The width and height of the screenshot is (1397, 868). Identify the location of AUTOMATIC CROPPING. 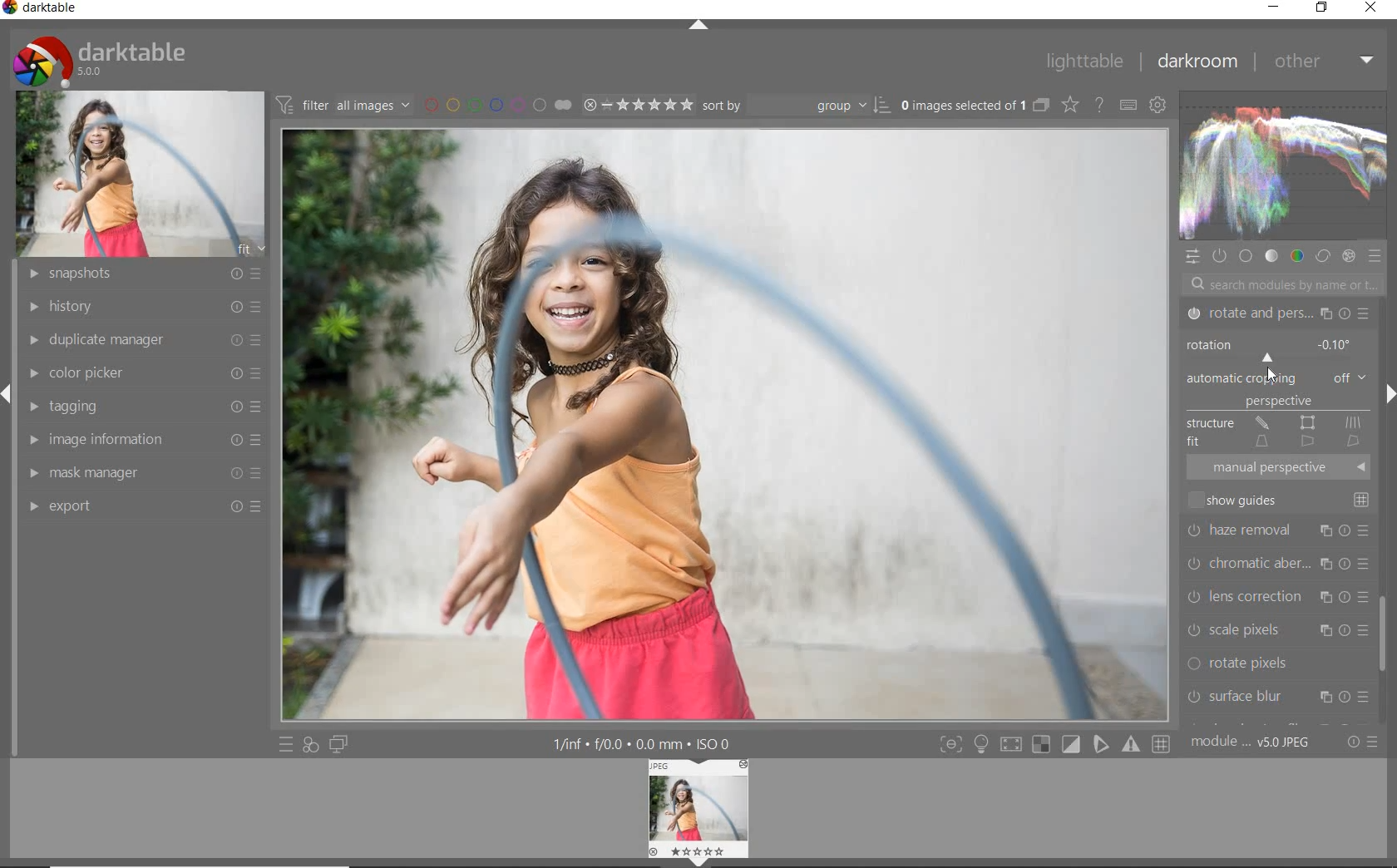
(1279, 379).